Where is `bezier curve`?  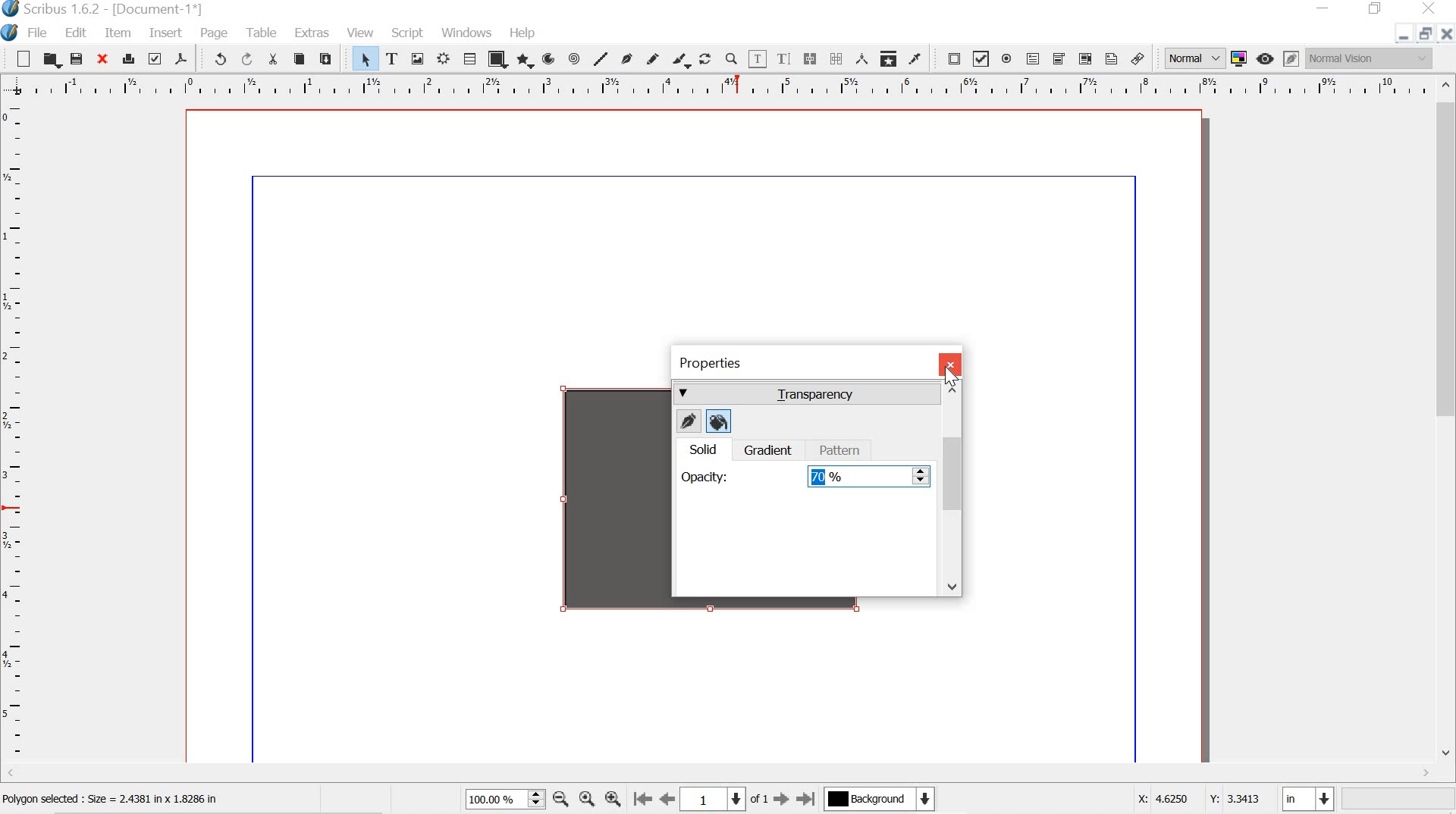 bezier curve is located at coordinates (628, 58).